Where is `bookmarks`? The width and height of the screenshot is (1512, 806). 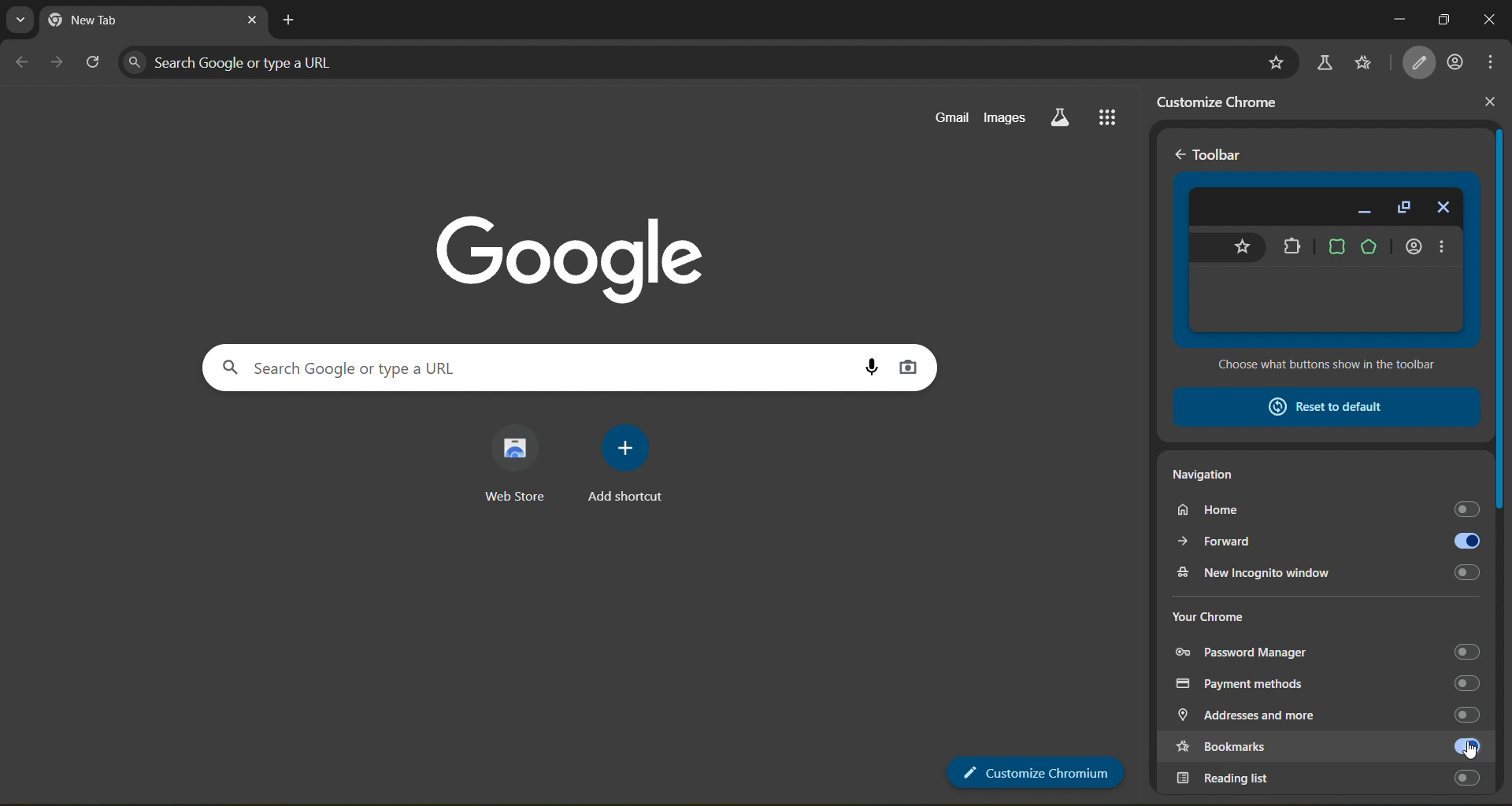 bookmarks is located at coordinates (1365, 63).